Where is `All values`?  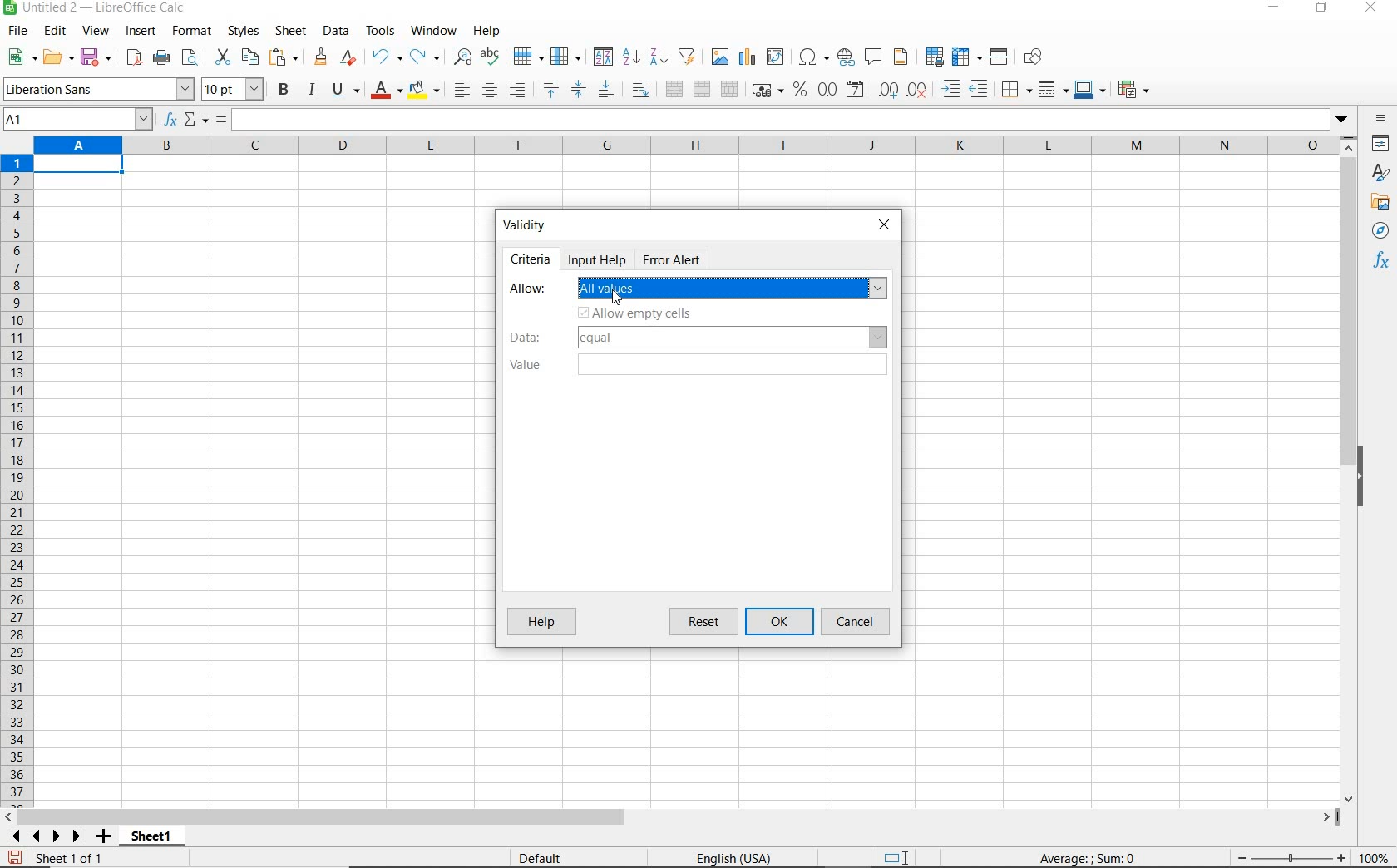
All values is located at coordinates (731, 288).